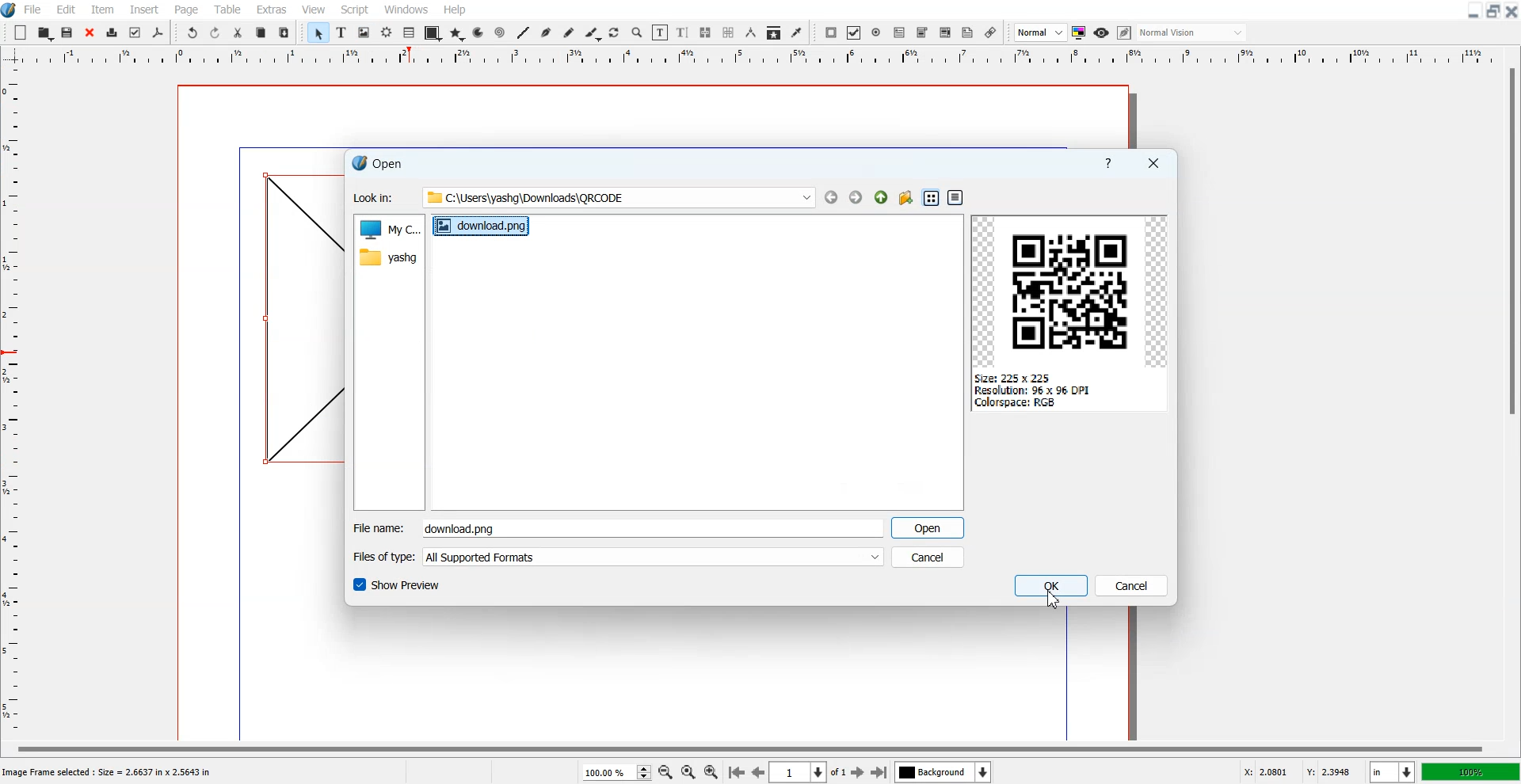  Describe the element at coordinates (112, 32) in the screenshot. I see `Print` at that location.